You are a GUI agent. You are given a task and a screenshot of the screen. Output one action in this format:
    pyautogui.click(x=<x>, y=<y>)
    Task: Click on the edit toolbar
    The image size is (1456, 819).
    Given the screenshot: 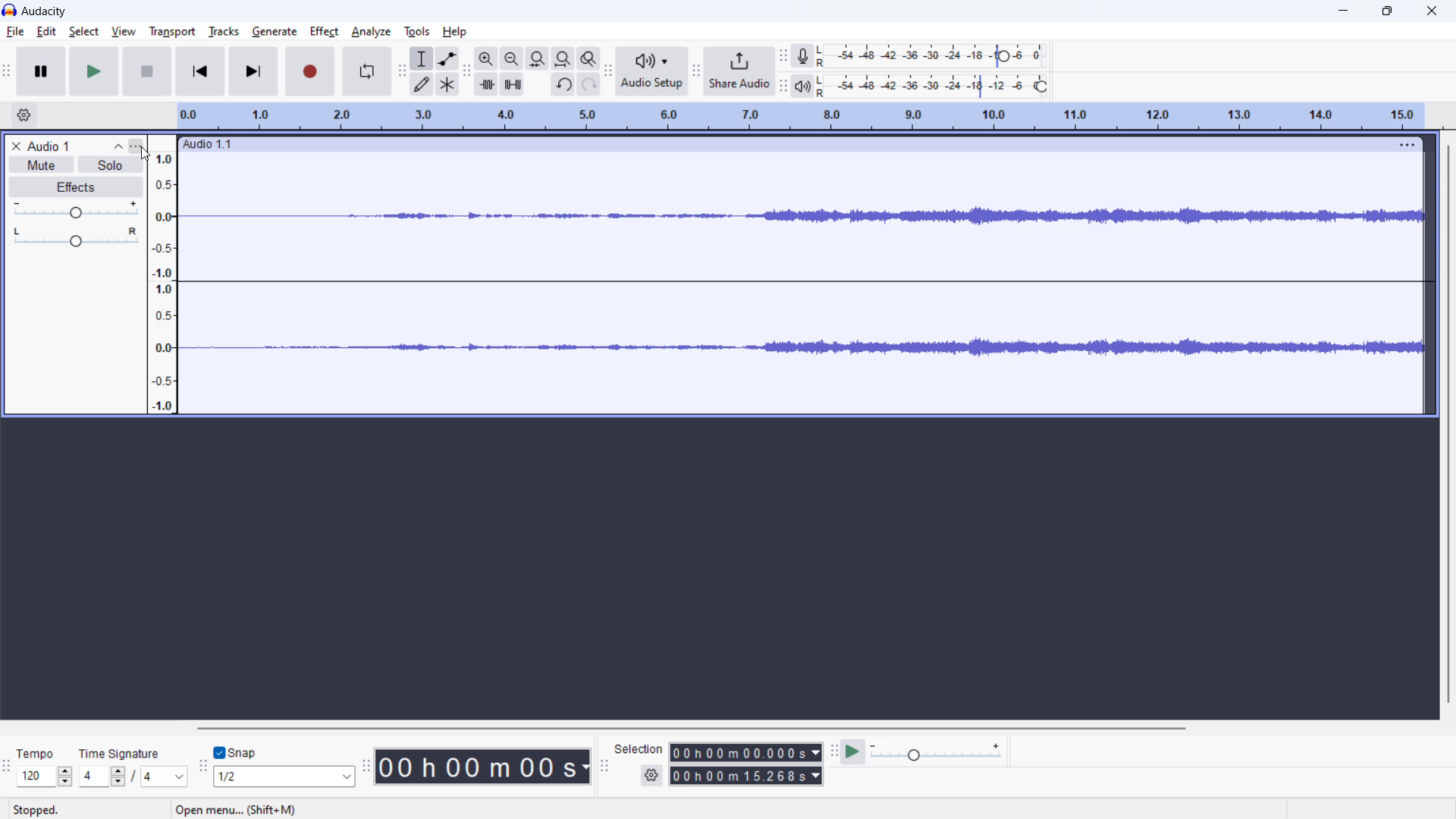 What is the action you would take?
    pyautogui.click(x=466, y=71)
    